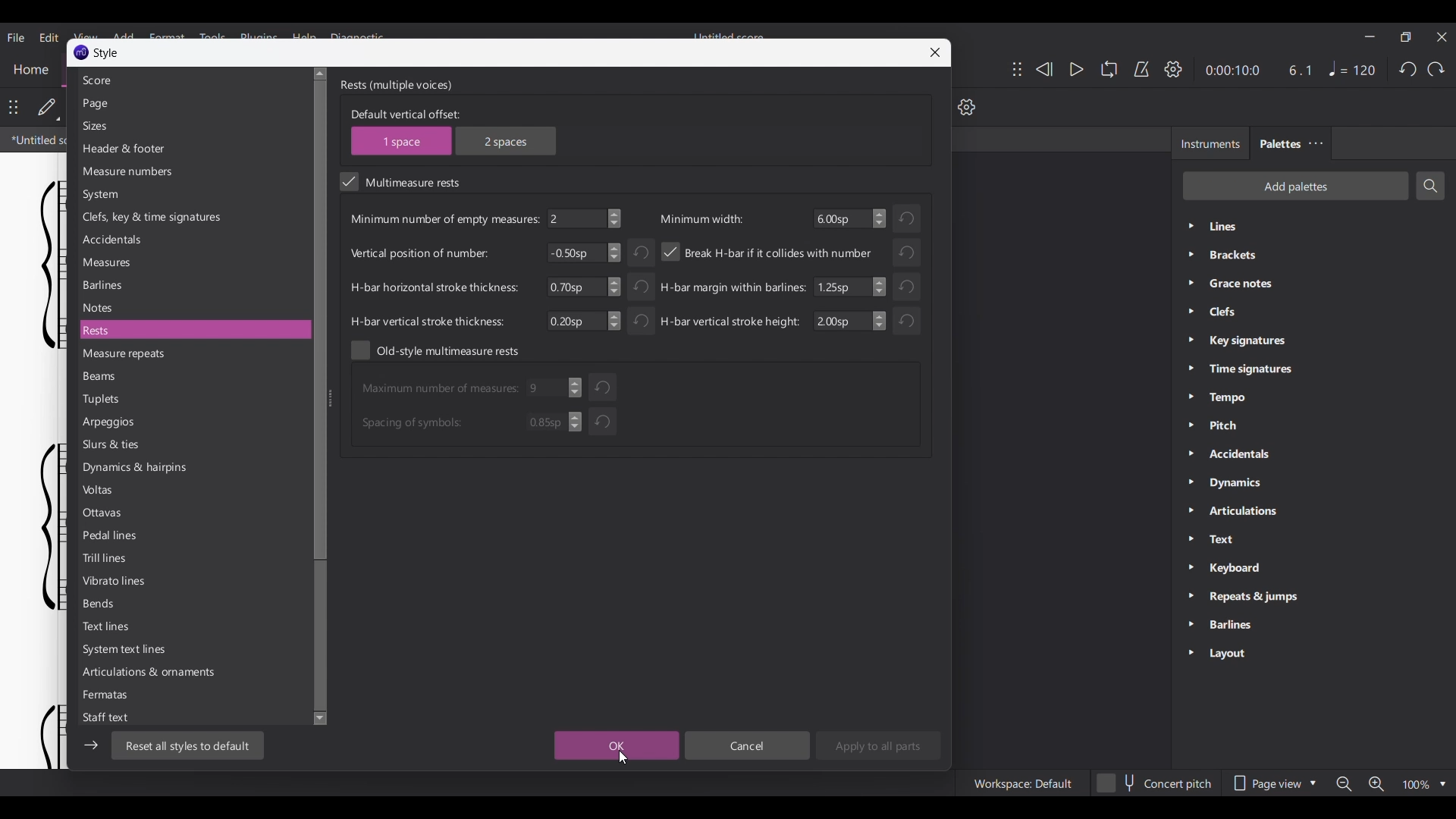  What do you see at coordinates (1141, 69) in the screenshot?
I see `Metronome` at bounding box center [1141, 69].